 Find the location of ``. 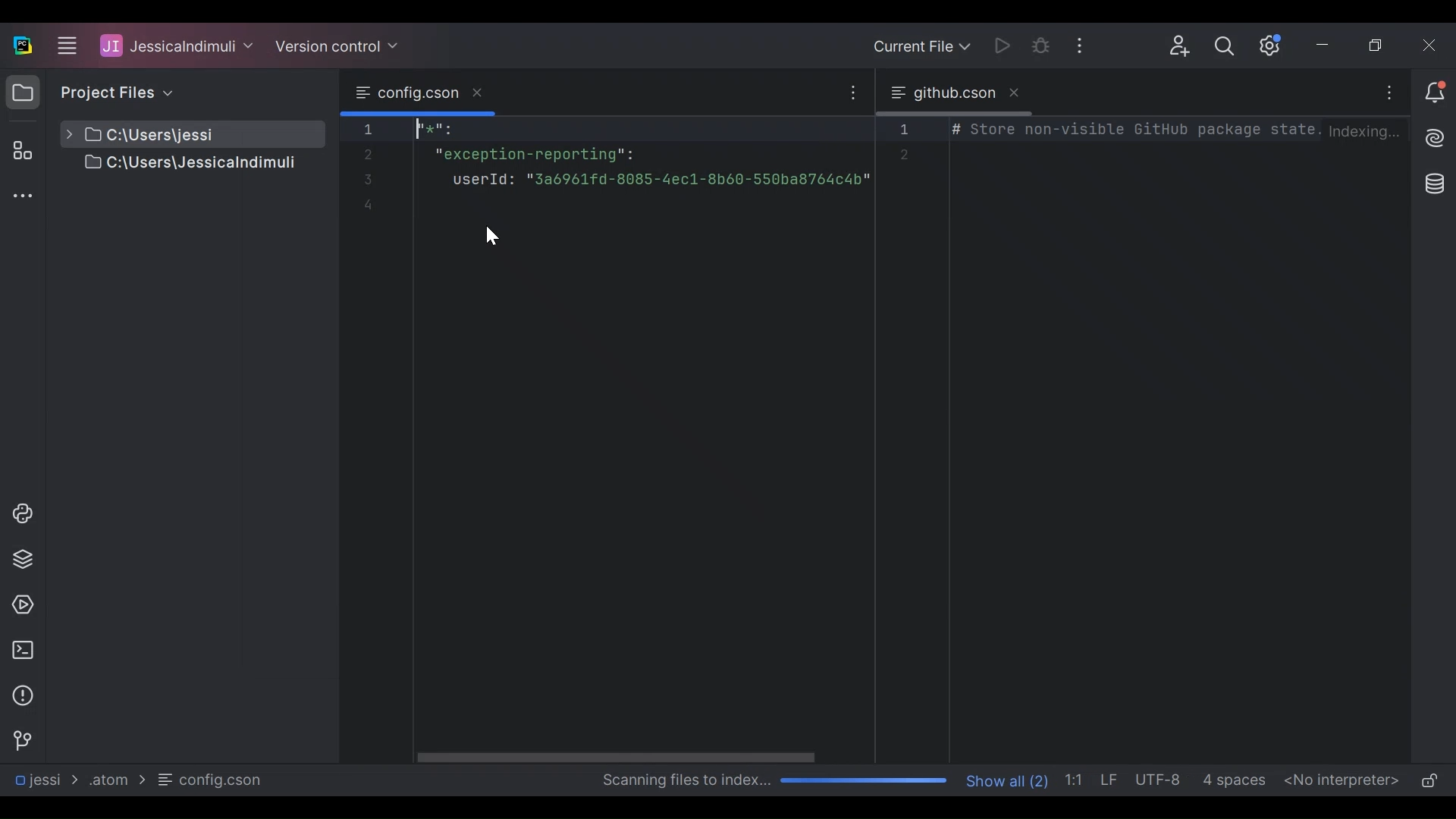

 is located at coordinates (21, 198).